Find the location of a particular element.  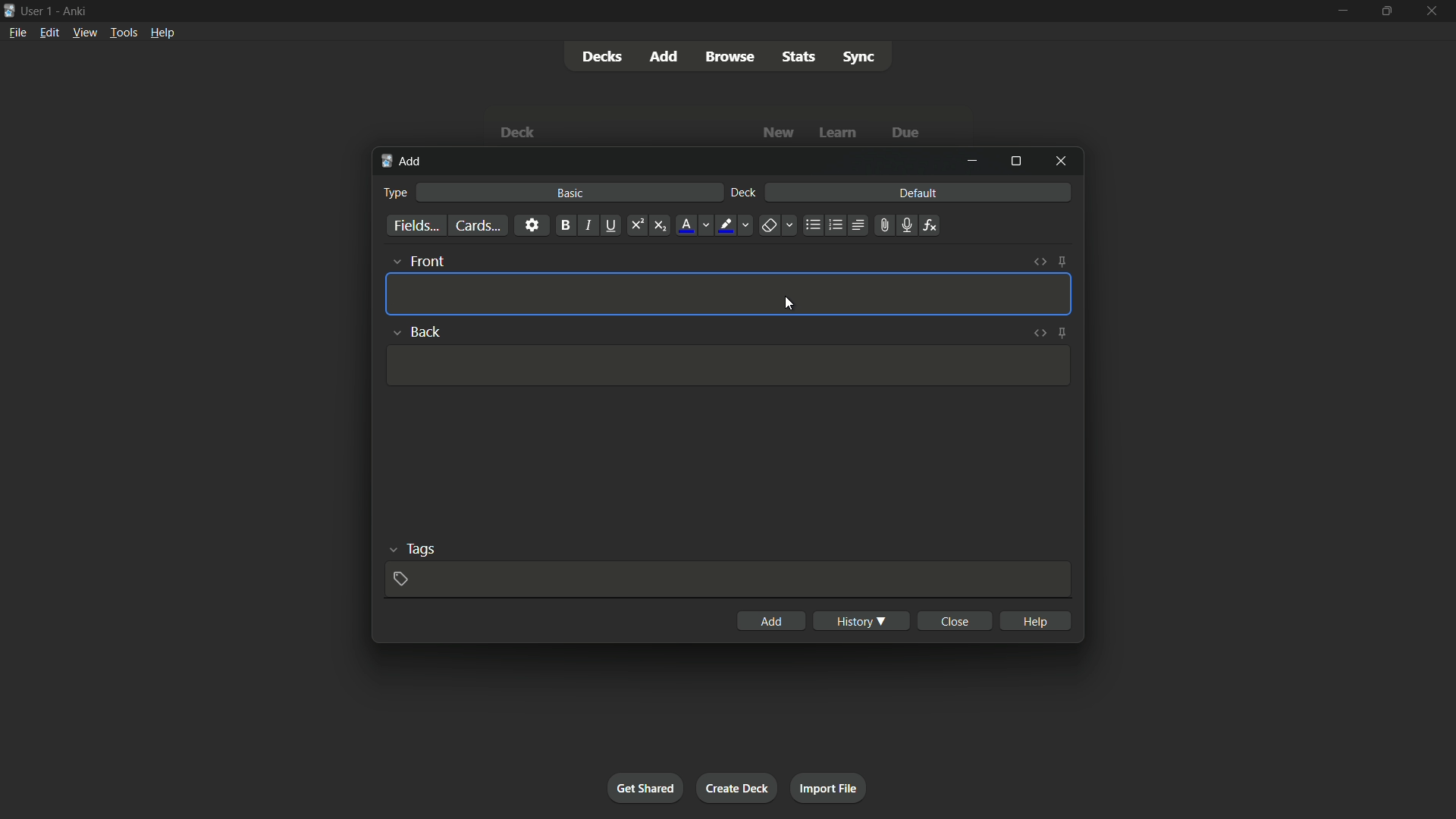

maximize is located at coordinates (1015, 161).